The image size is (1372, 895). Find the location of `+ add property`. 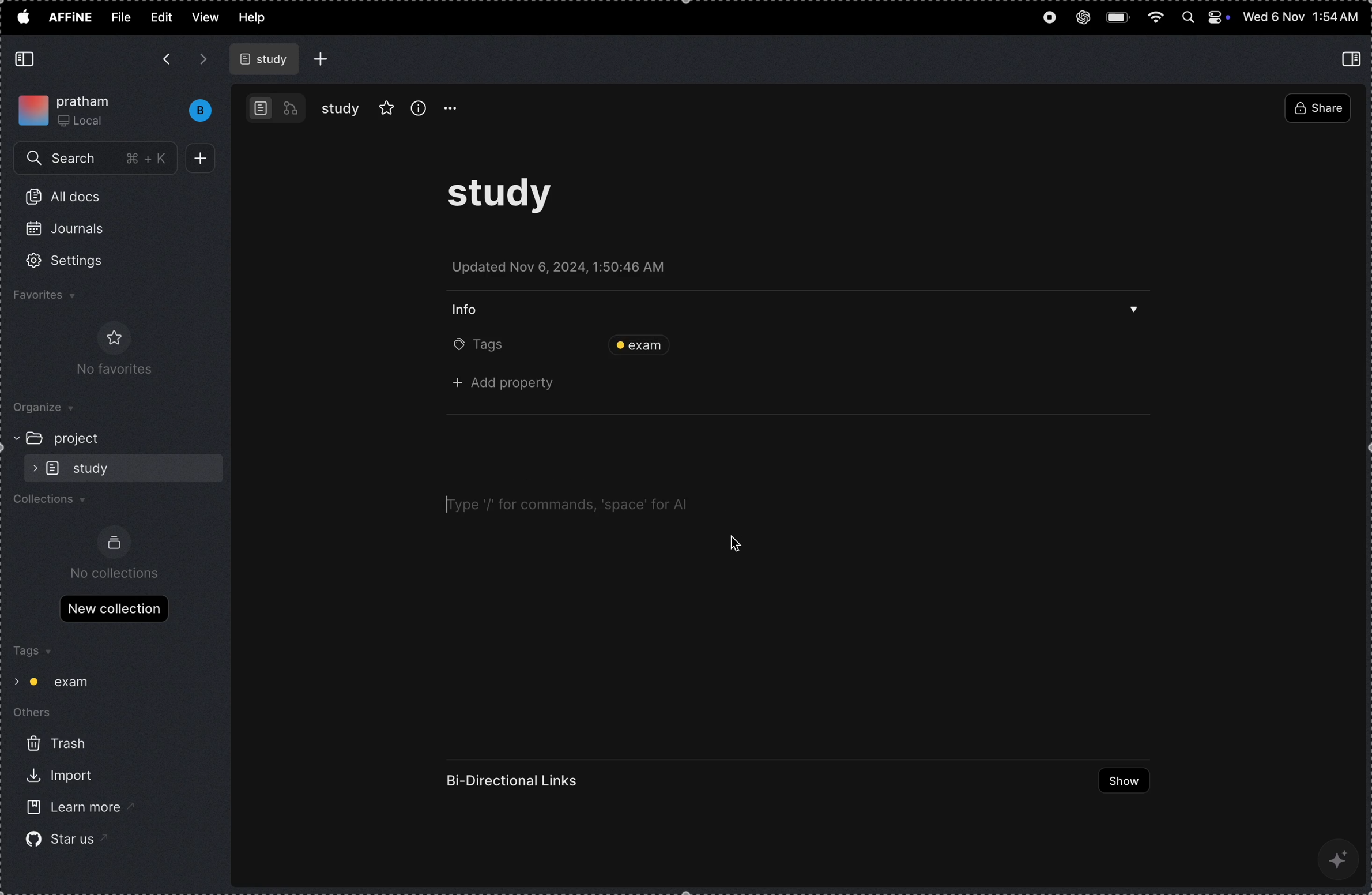

+ add property is located at coordinates (510, 385).